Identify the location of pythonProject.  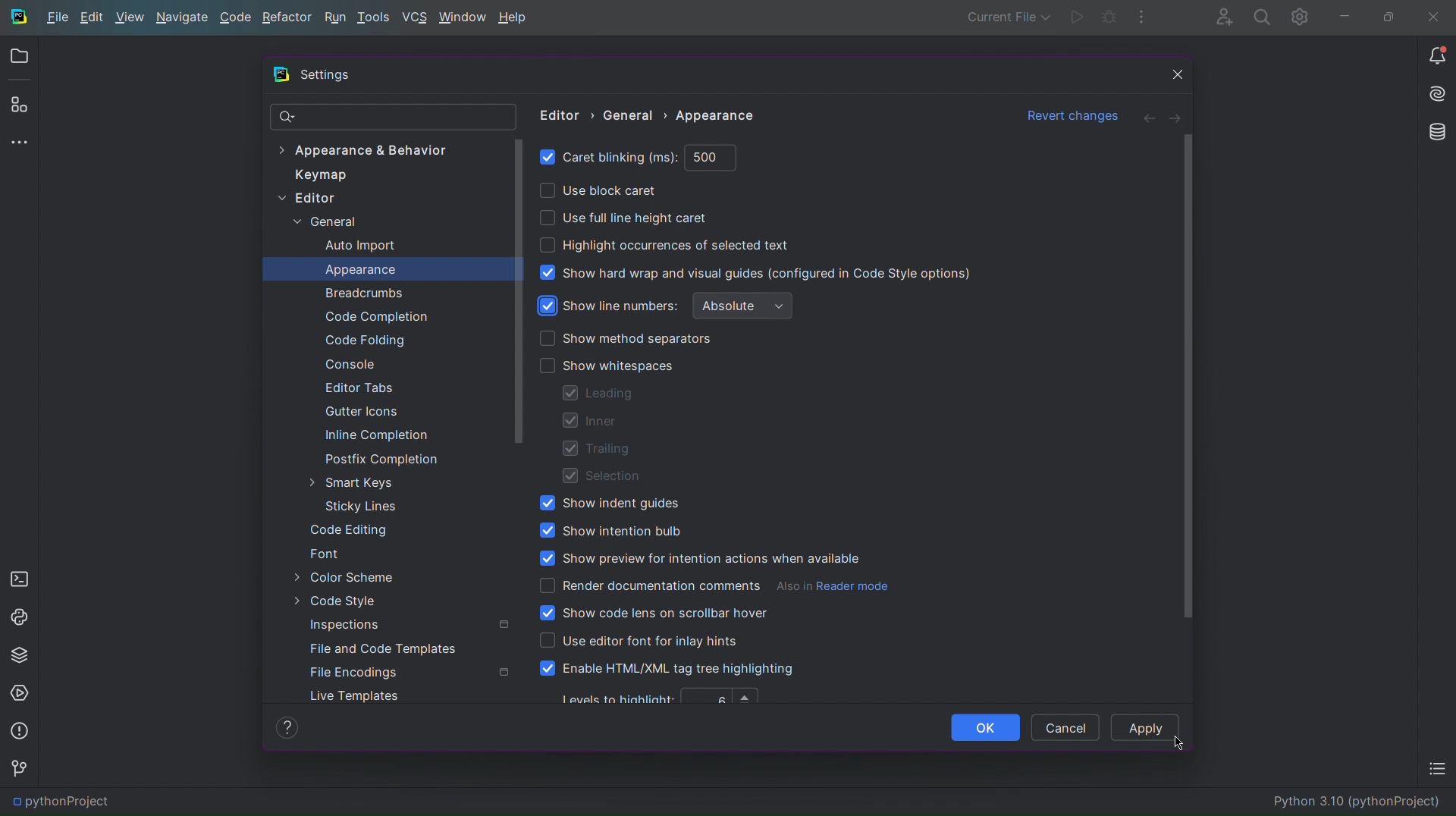
(61, 802).